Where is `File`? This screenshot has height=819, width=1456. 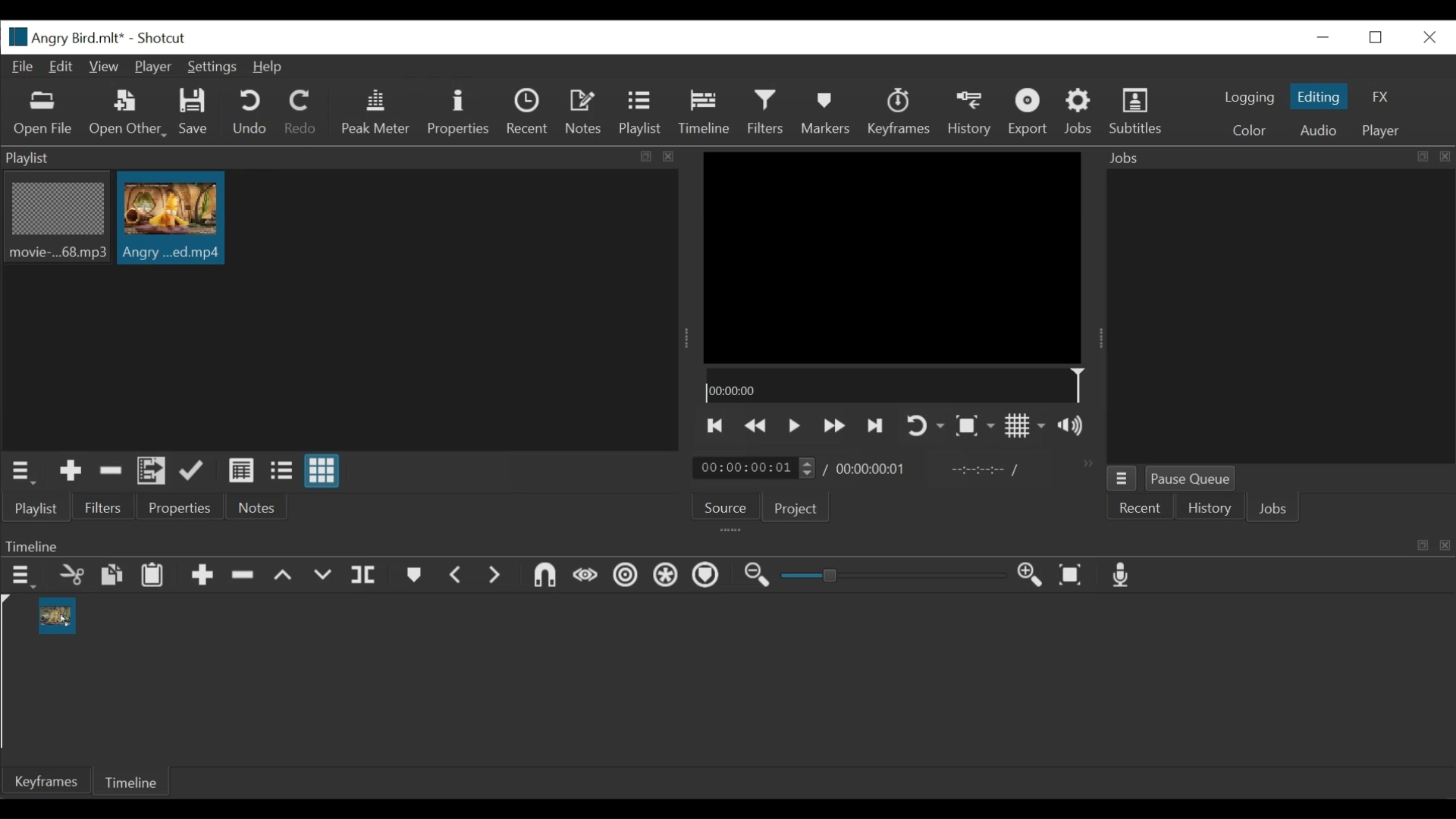 File is located at coordinates (24, 67).